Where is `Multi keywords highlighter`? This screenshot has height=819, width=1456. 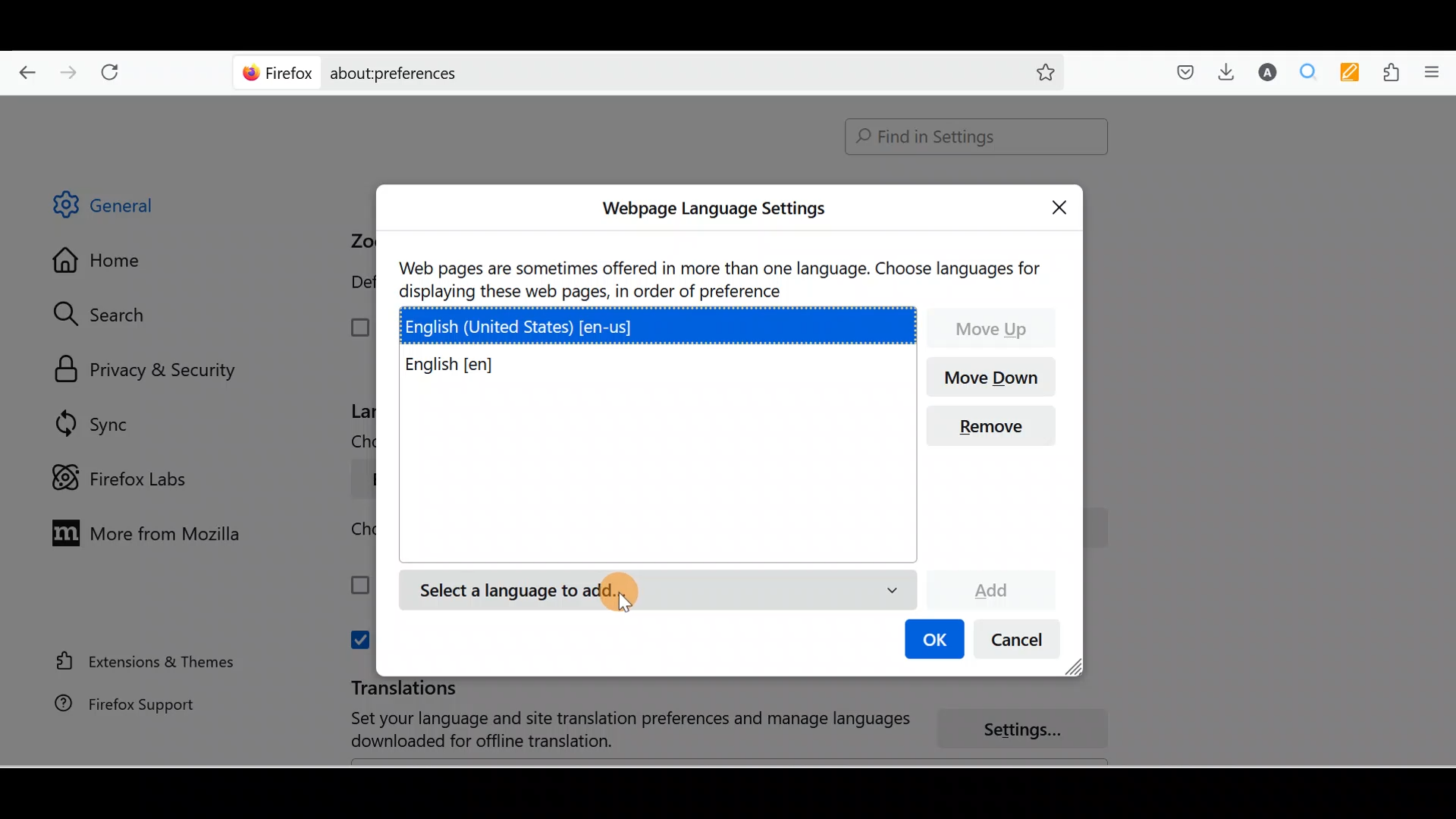 Multi keywords highlighter is located at coordinates (1354, 74).